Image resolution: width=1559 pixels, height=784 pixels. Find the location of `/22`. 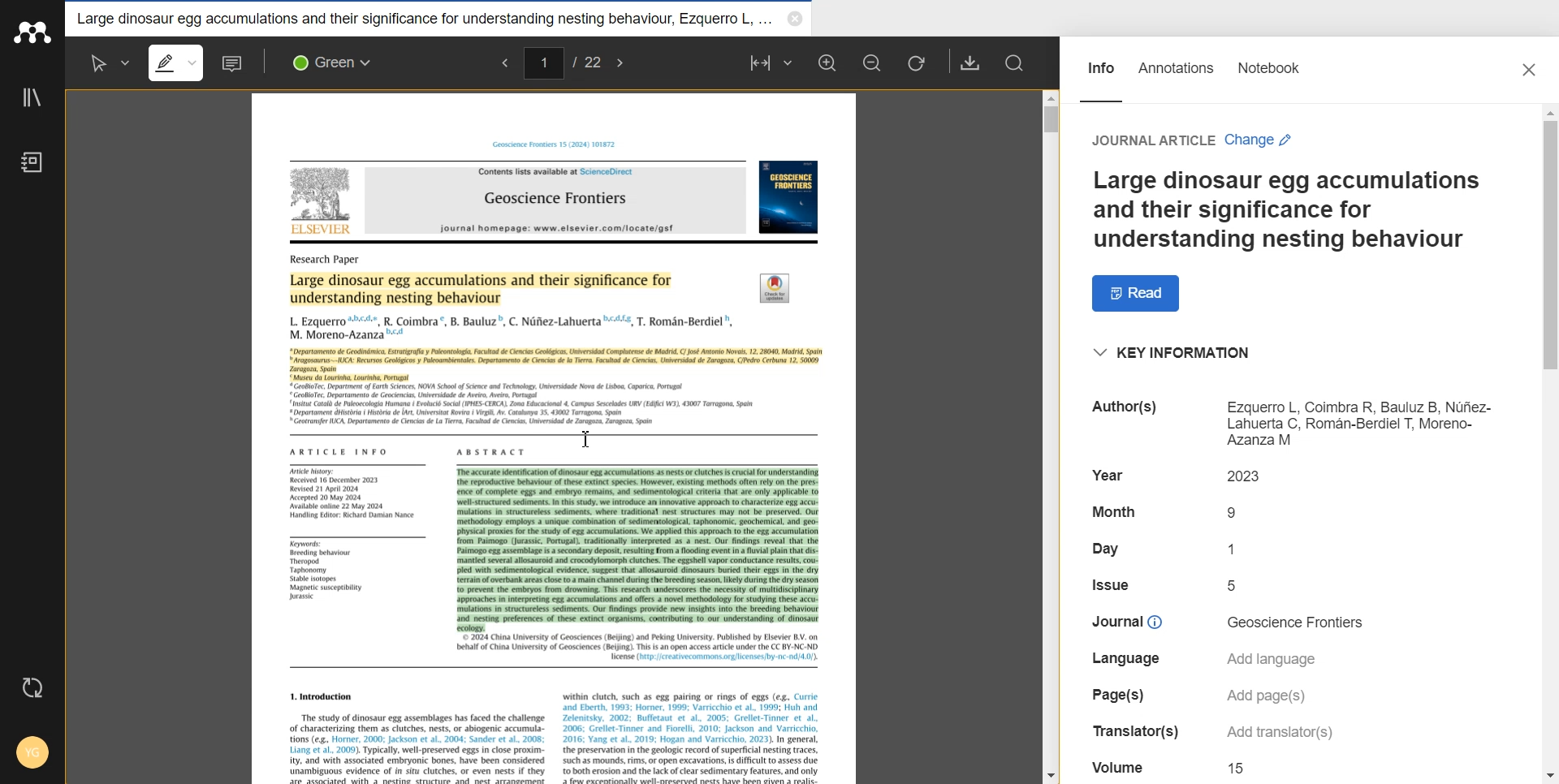

/22 is located at coordinates (586, 61).